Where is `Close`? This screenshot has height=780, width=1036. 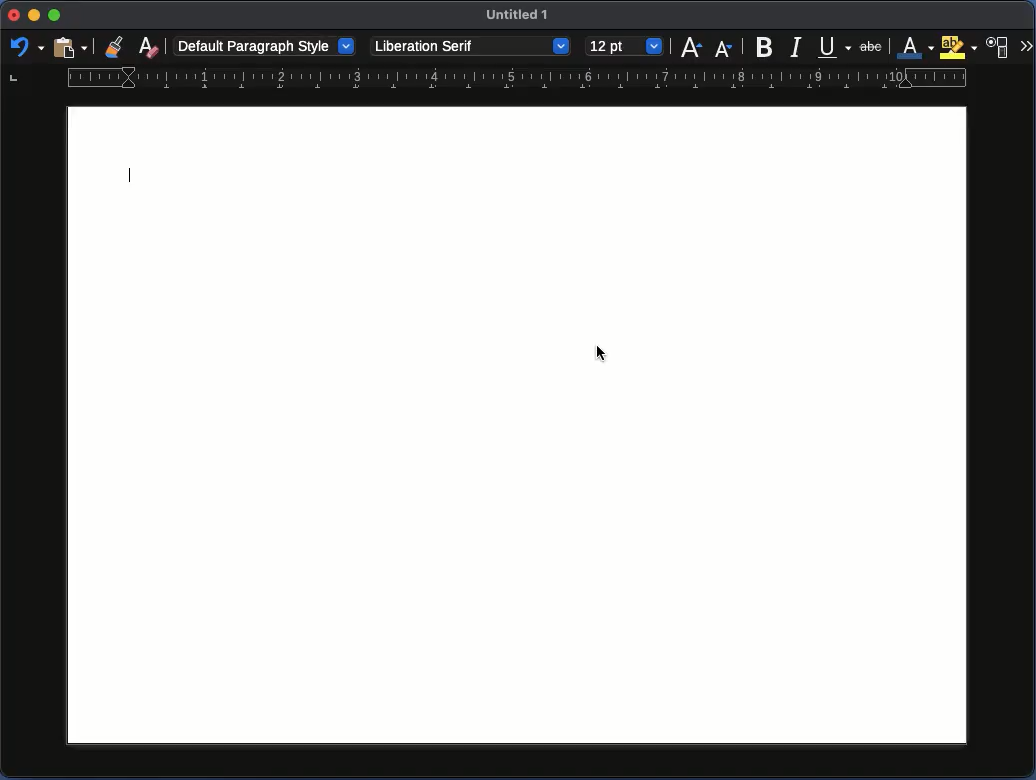 Close is located at coordinates (12, 19).